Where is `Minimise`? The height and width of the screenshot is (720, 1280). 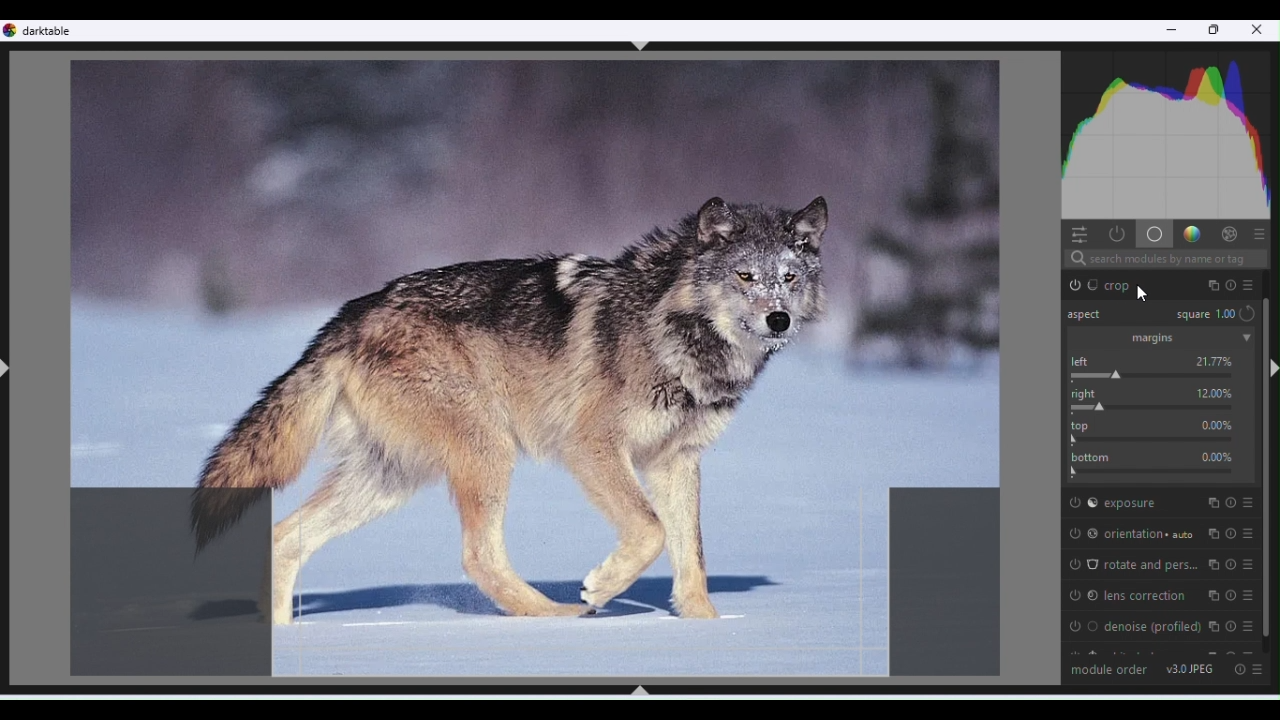
Minimise is located at coordinates (1171, 32).